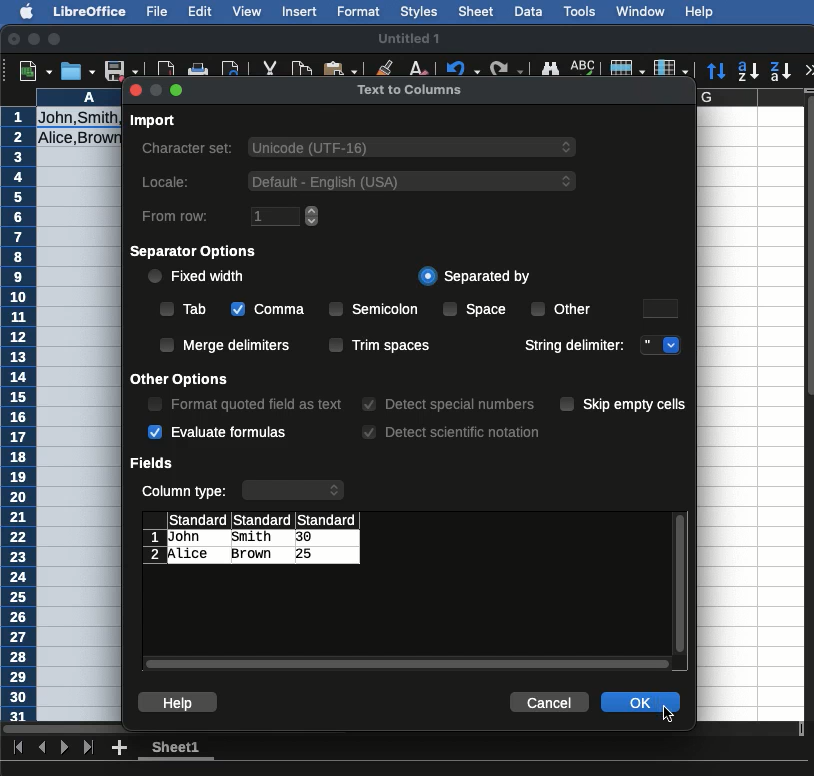  What do you see at coordinates (379, 345) in the screenshot?
I see `Trim spaces` at bounding box center [379, 345].